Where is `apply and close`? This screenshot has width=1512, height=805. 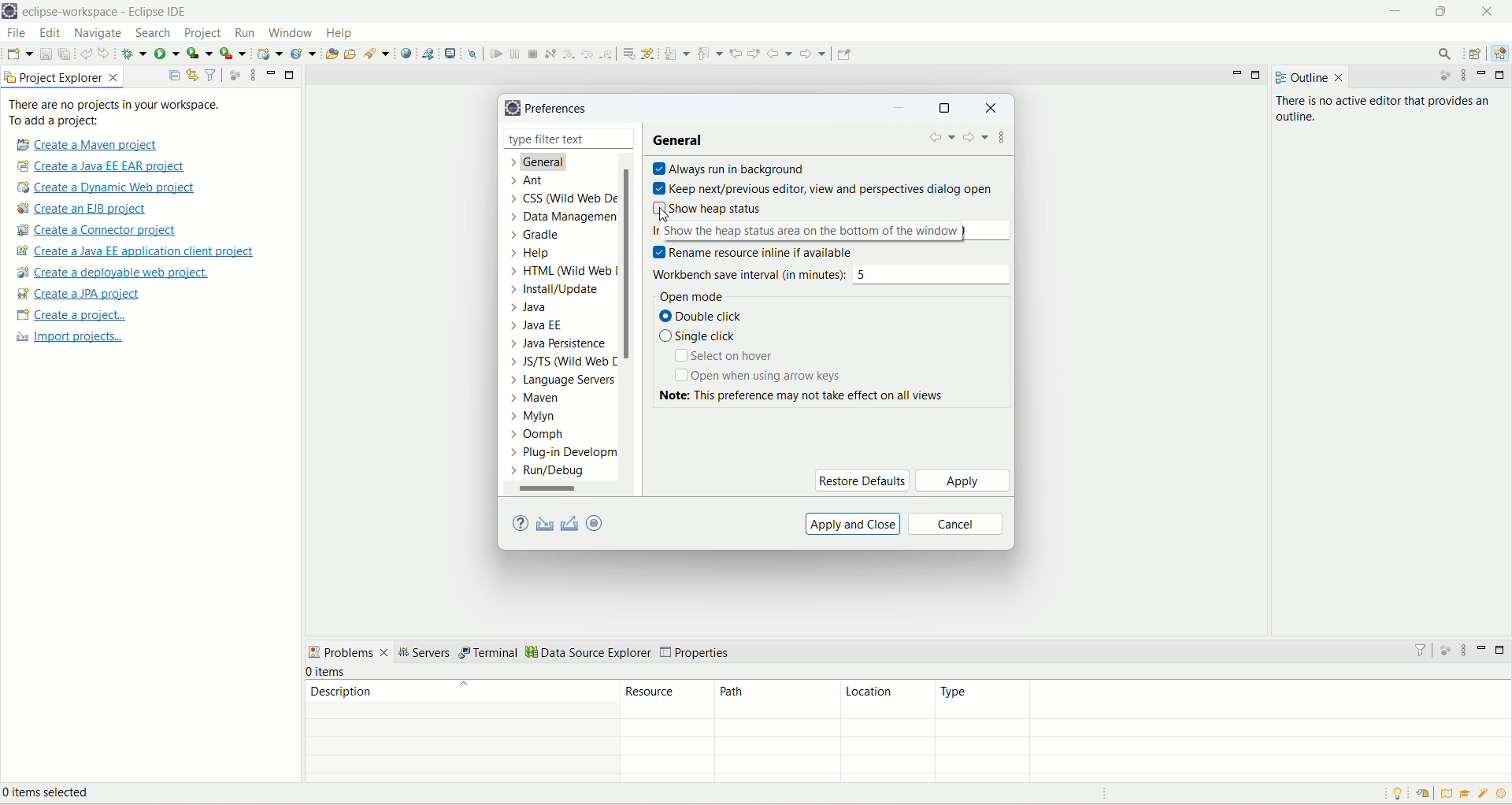 apply and close is located at coordinates (854, 523).